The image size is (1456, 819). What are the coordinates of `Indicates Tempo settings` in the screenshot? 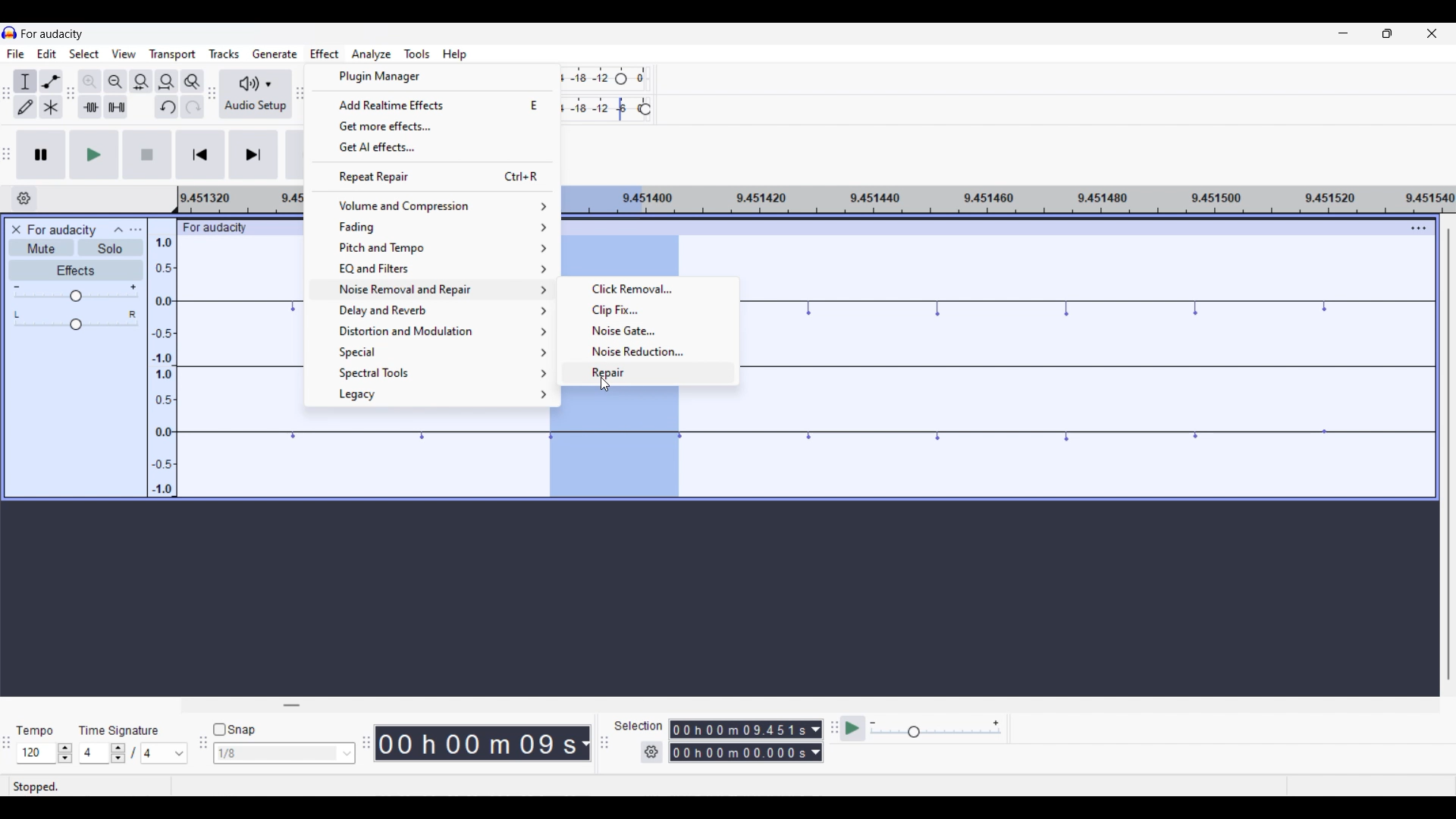 It's located at (34, 730).